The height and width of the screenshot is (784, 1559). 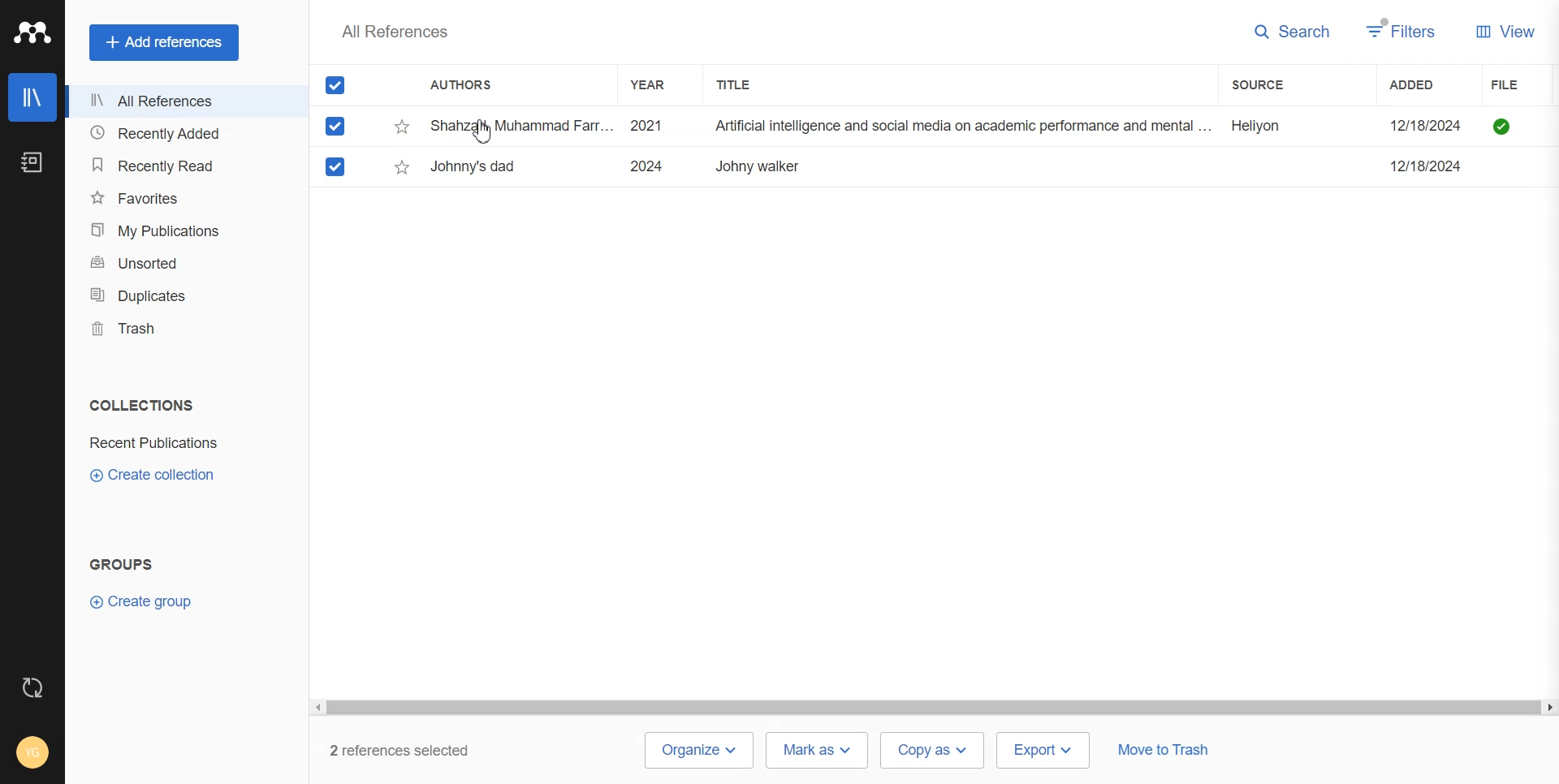 What do you see at coordinates (182, 230) in the screenshot?
I see `My Publication` at bounding box center [182, 230].